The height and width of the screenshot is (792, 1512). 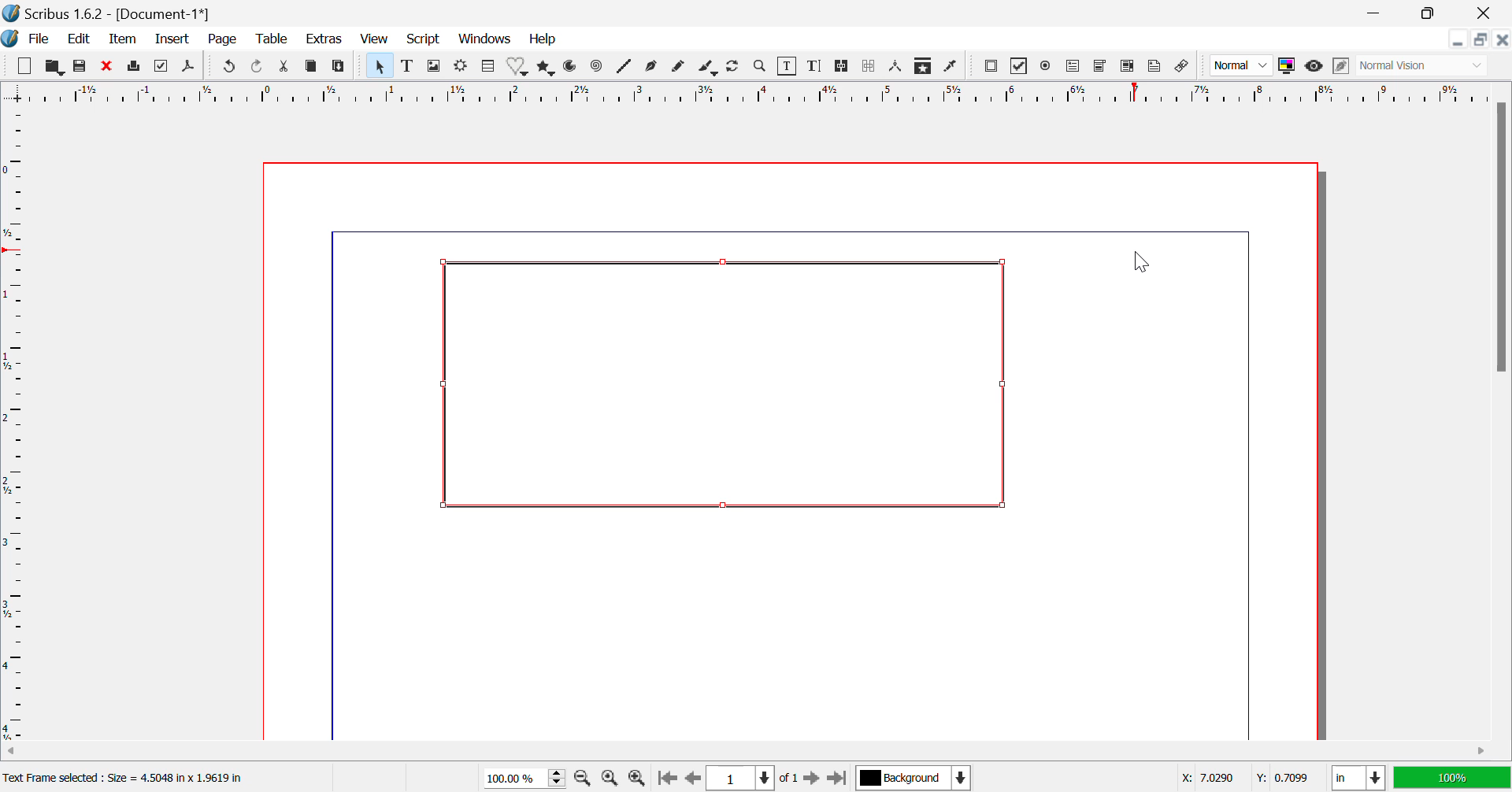 I want to click on Measurements, so click(x=899, y=67).